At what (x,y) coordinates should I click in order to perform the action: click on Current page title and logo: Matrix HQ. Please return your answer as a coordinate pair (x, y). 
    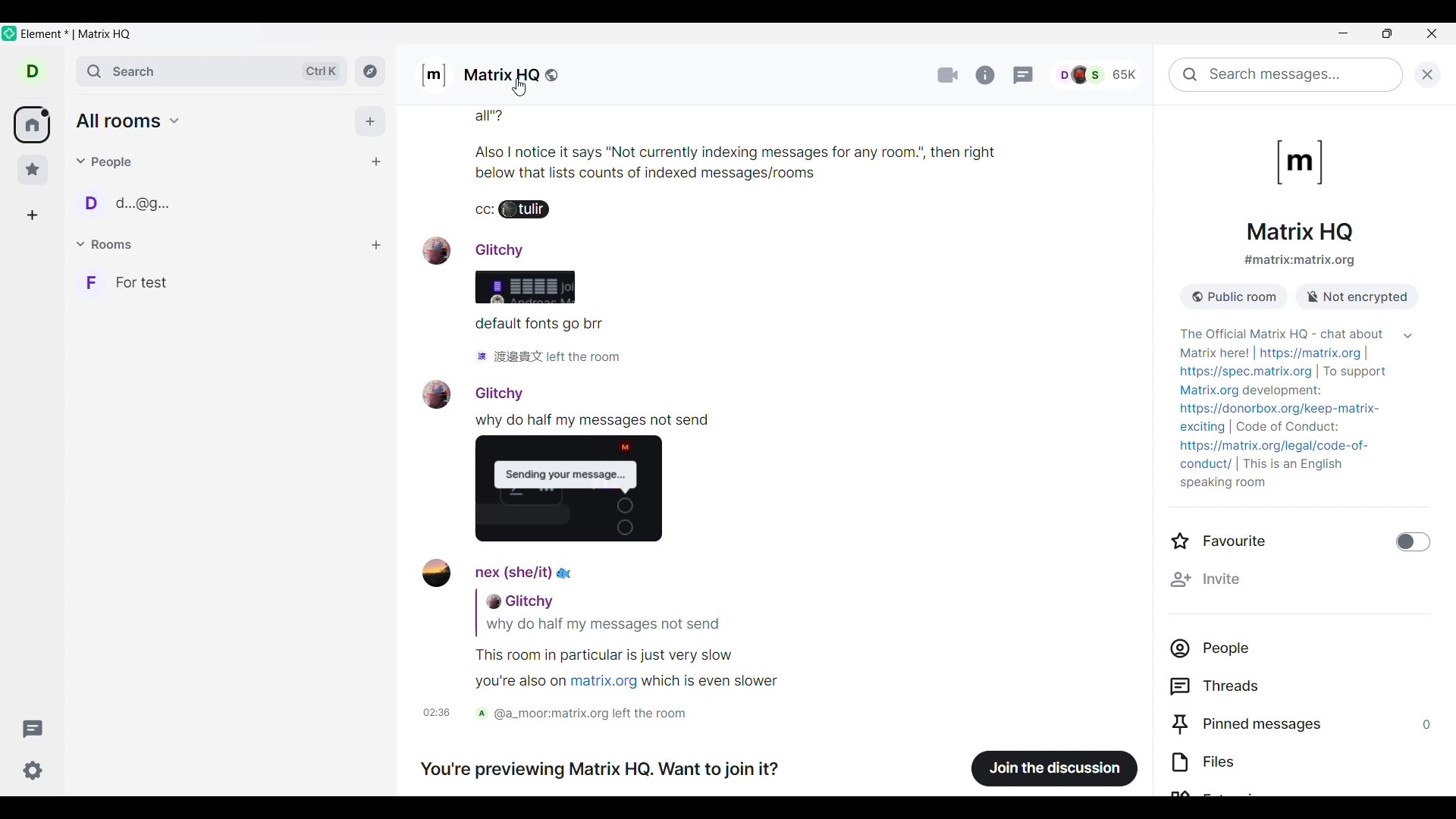
    Looking at the image, I should click on (1298, 189).